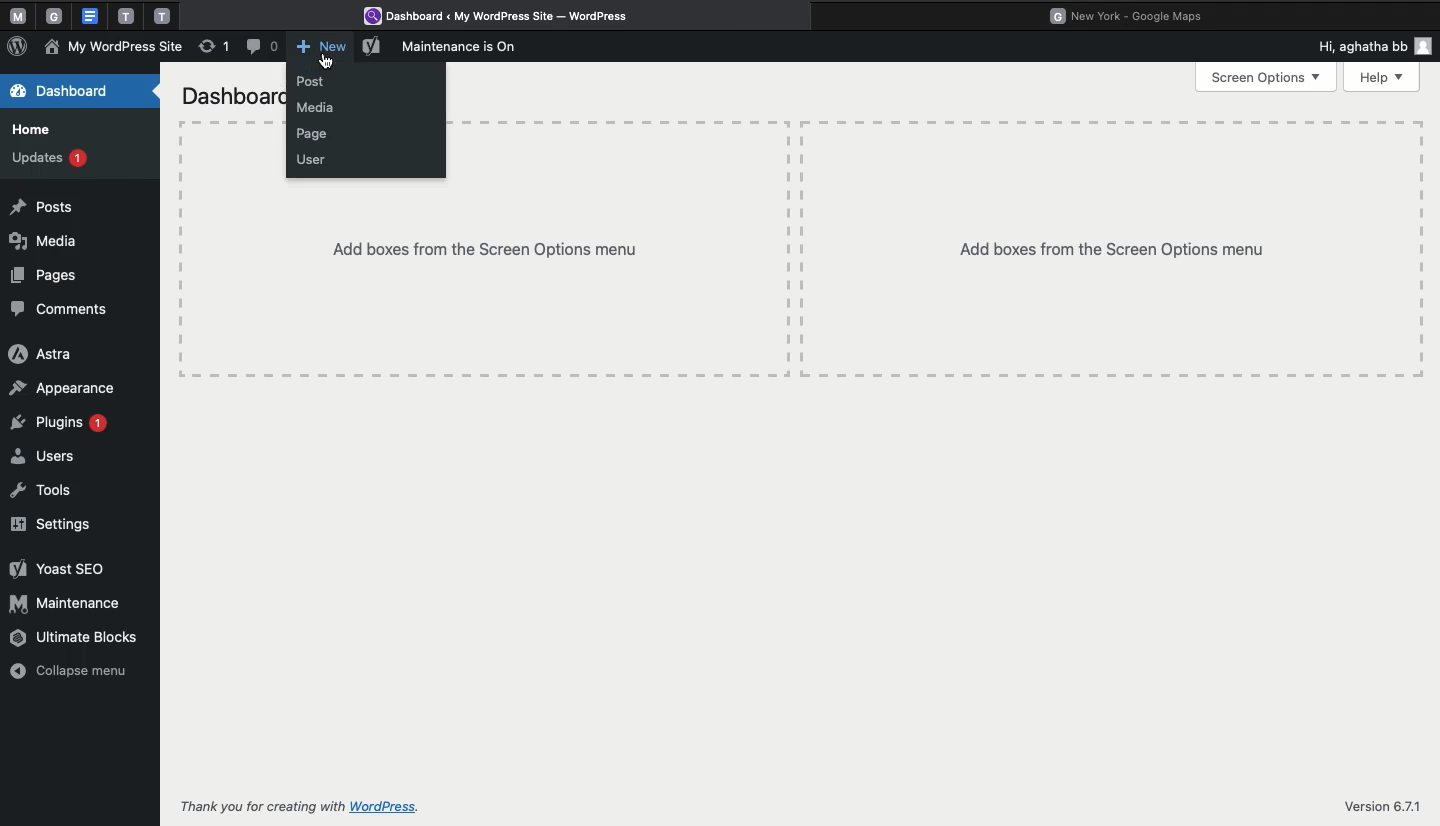 This screenshot has width=1440, height=826. Describe the element at coordinates (1372, 46) in the screenshot. I see `Hi user` at that location.